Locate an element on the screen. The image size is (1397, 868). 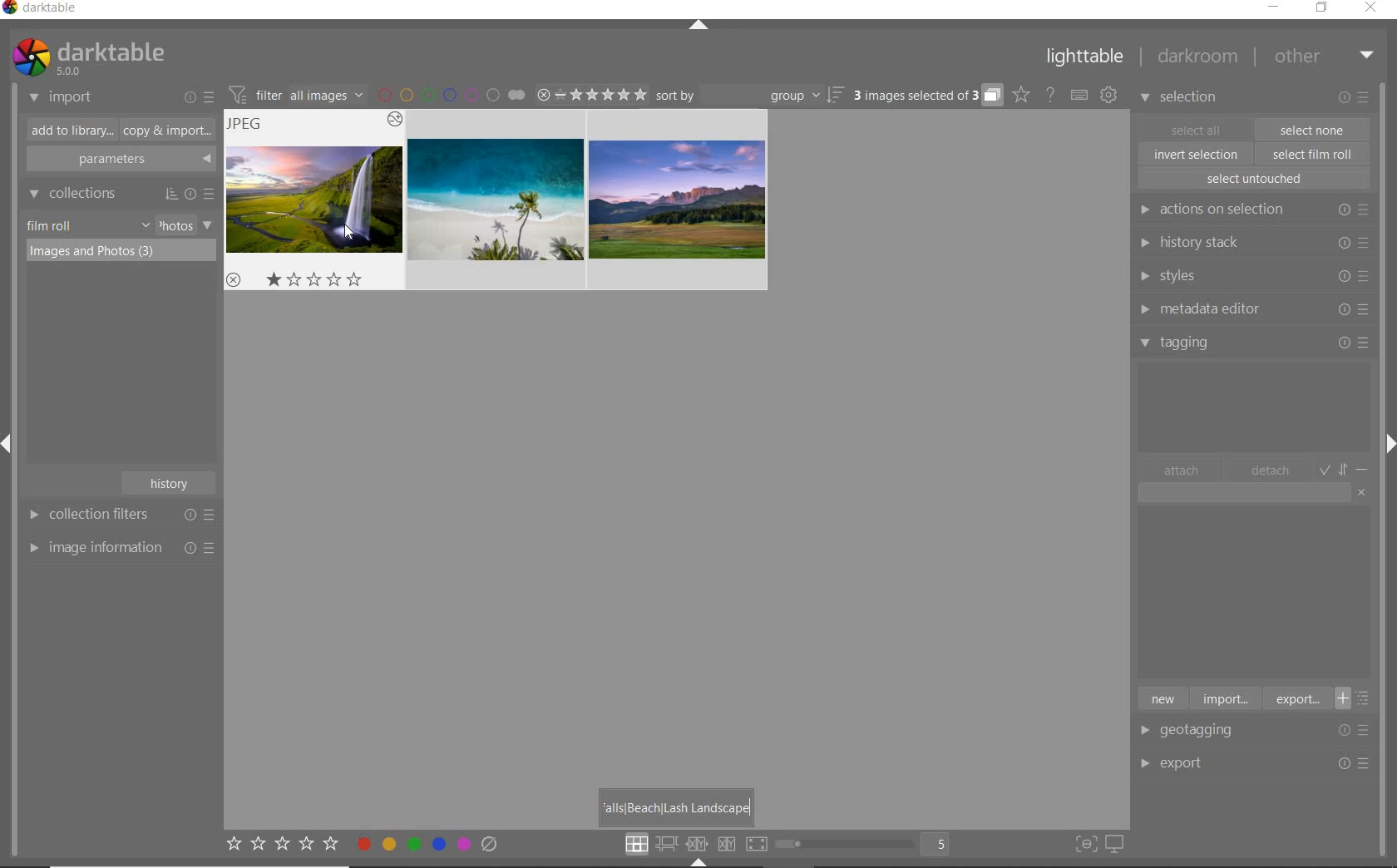
filter by image color label is located at coordinates (451, 94).